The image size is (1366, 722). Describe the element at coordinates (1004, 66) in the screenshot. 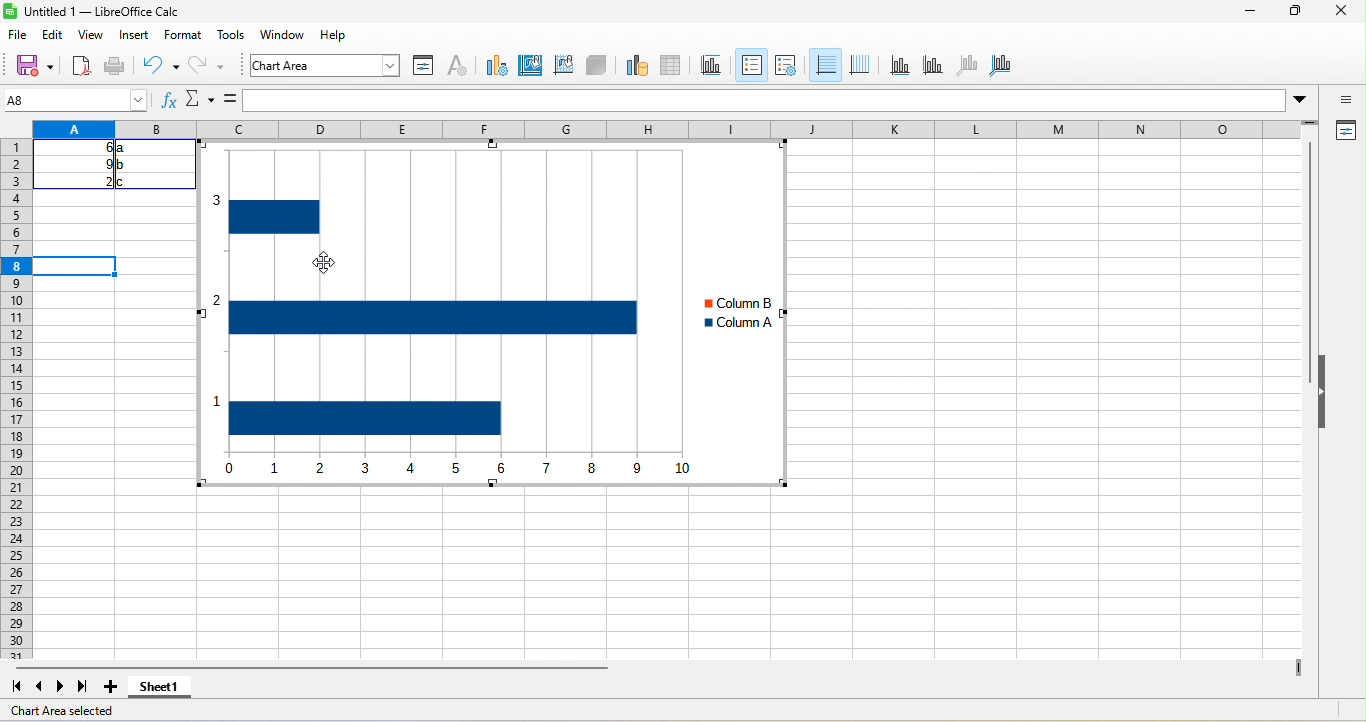

I see `All axes` at that location.